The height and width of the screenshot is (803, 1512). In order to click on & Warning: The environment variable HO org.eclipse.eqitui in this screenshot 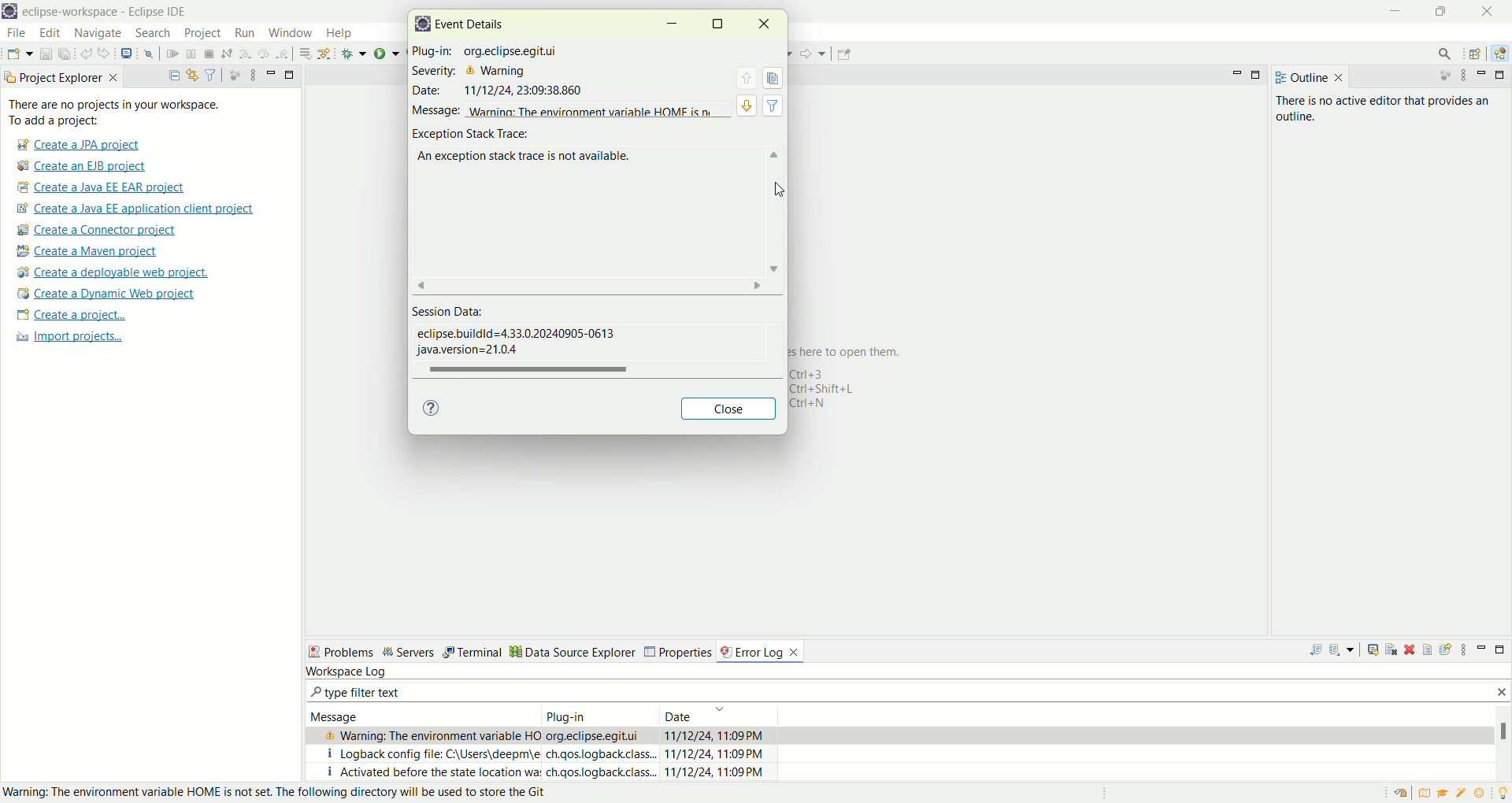, I will do `click(476, 732)`.